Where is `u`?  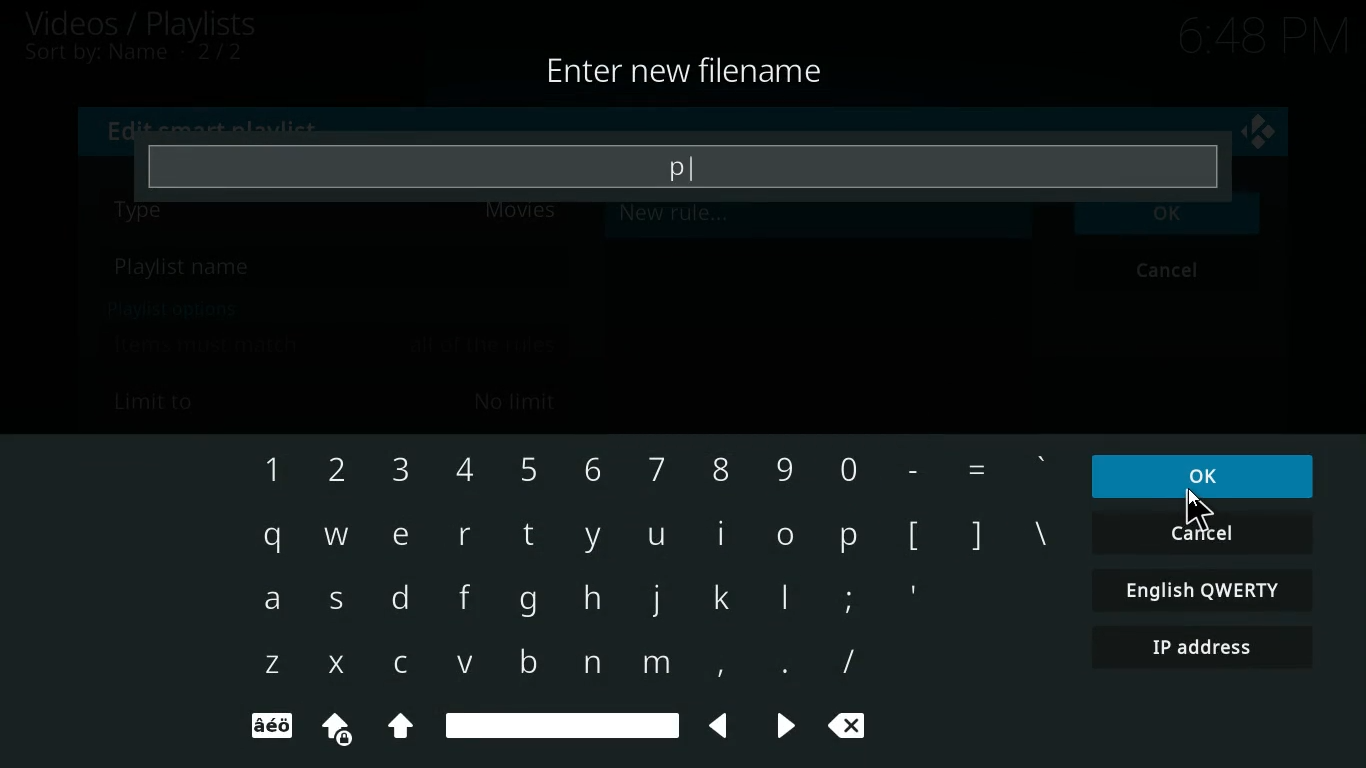 u is located at coordinates (656, 537).